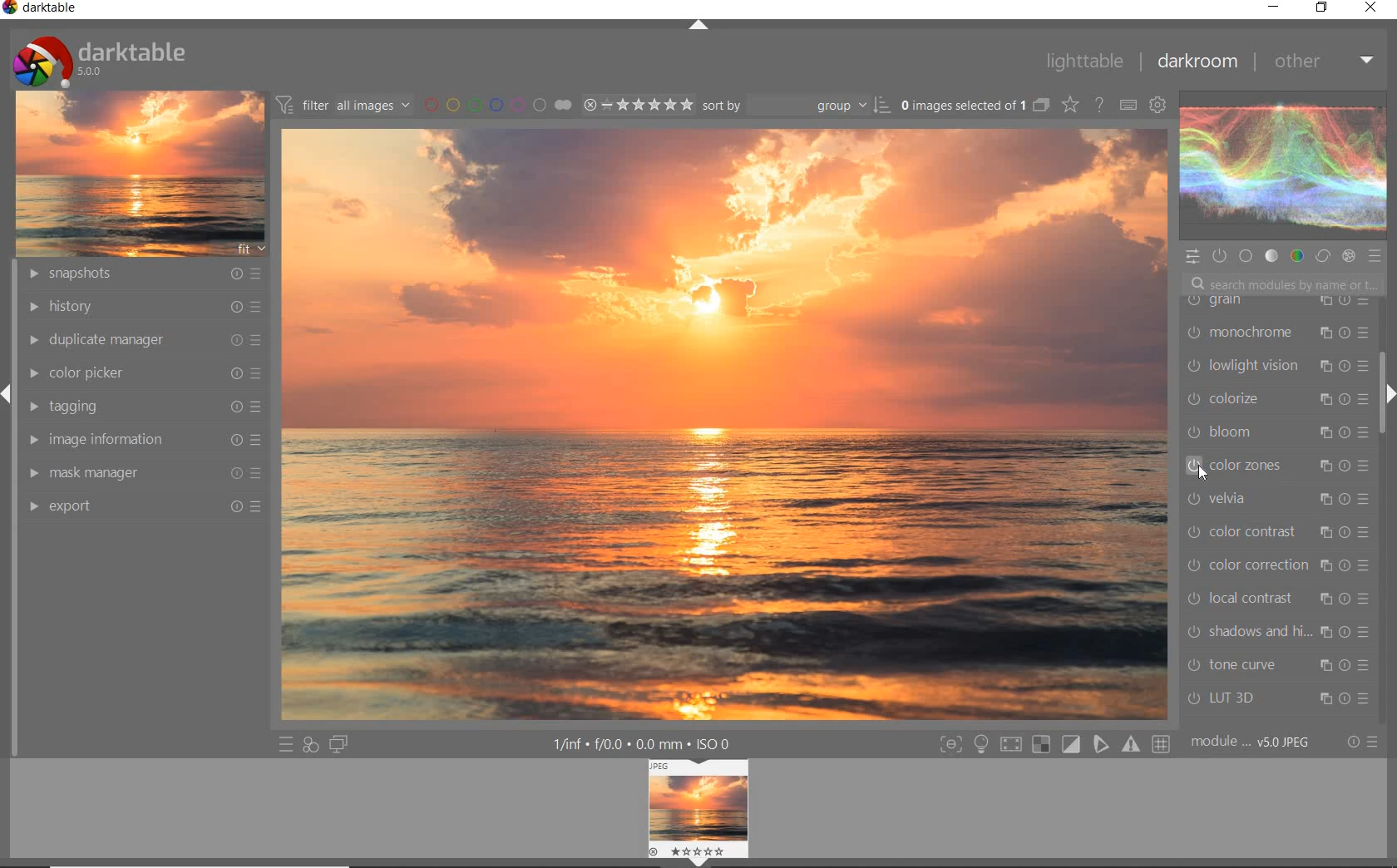 This screenshot has width=1397, height=868. I want to click on DUPLICATE MANAGER, so click(141, 338).